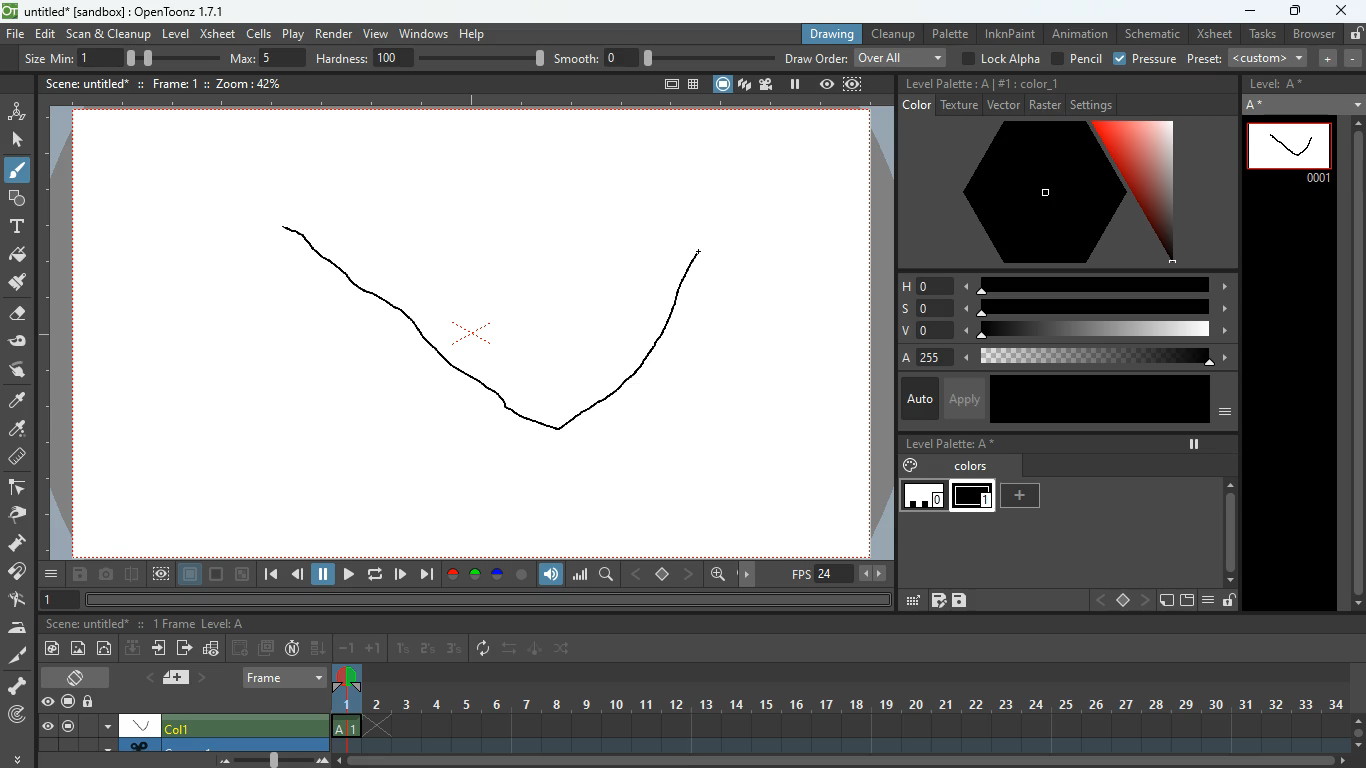 This screenshot has width=1366, height=768. I want to click on back, so click(241, 648).